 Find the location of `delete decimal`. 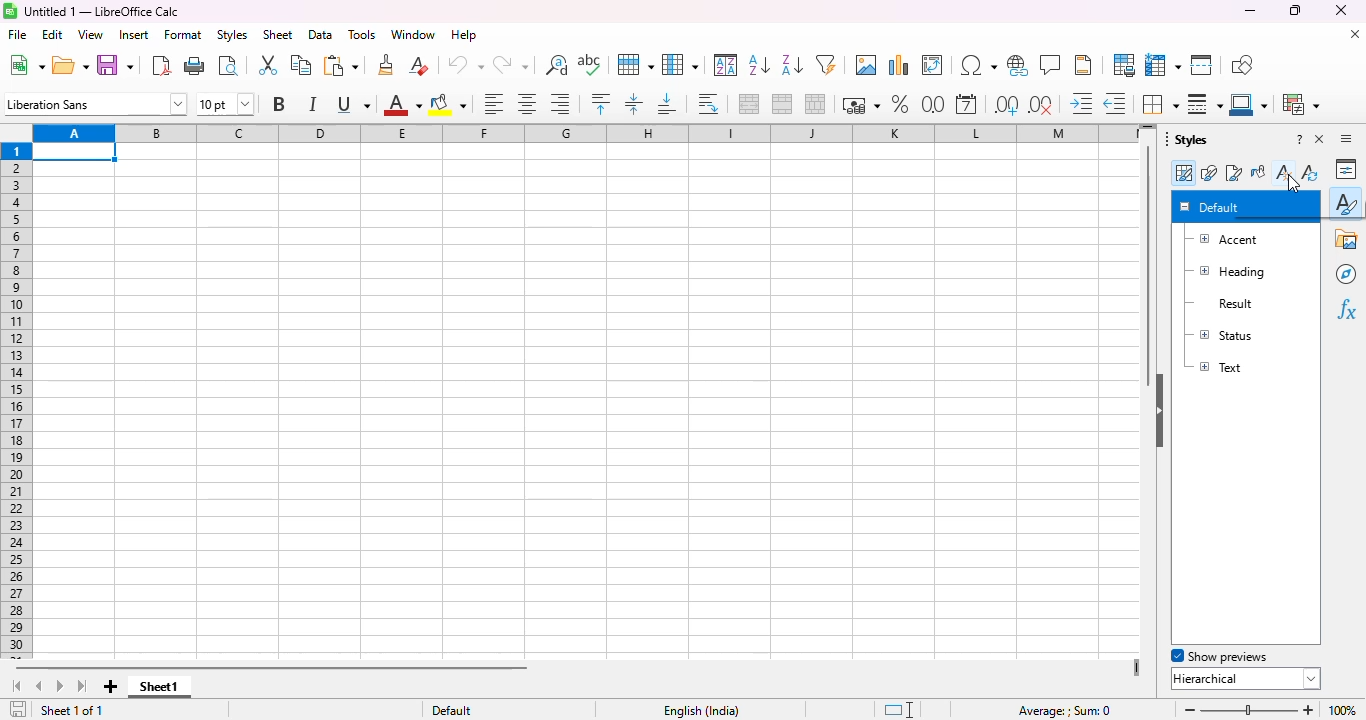

delete decimal is located at coordinates (1115, 103).